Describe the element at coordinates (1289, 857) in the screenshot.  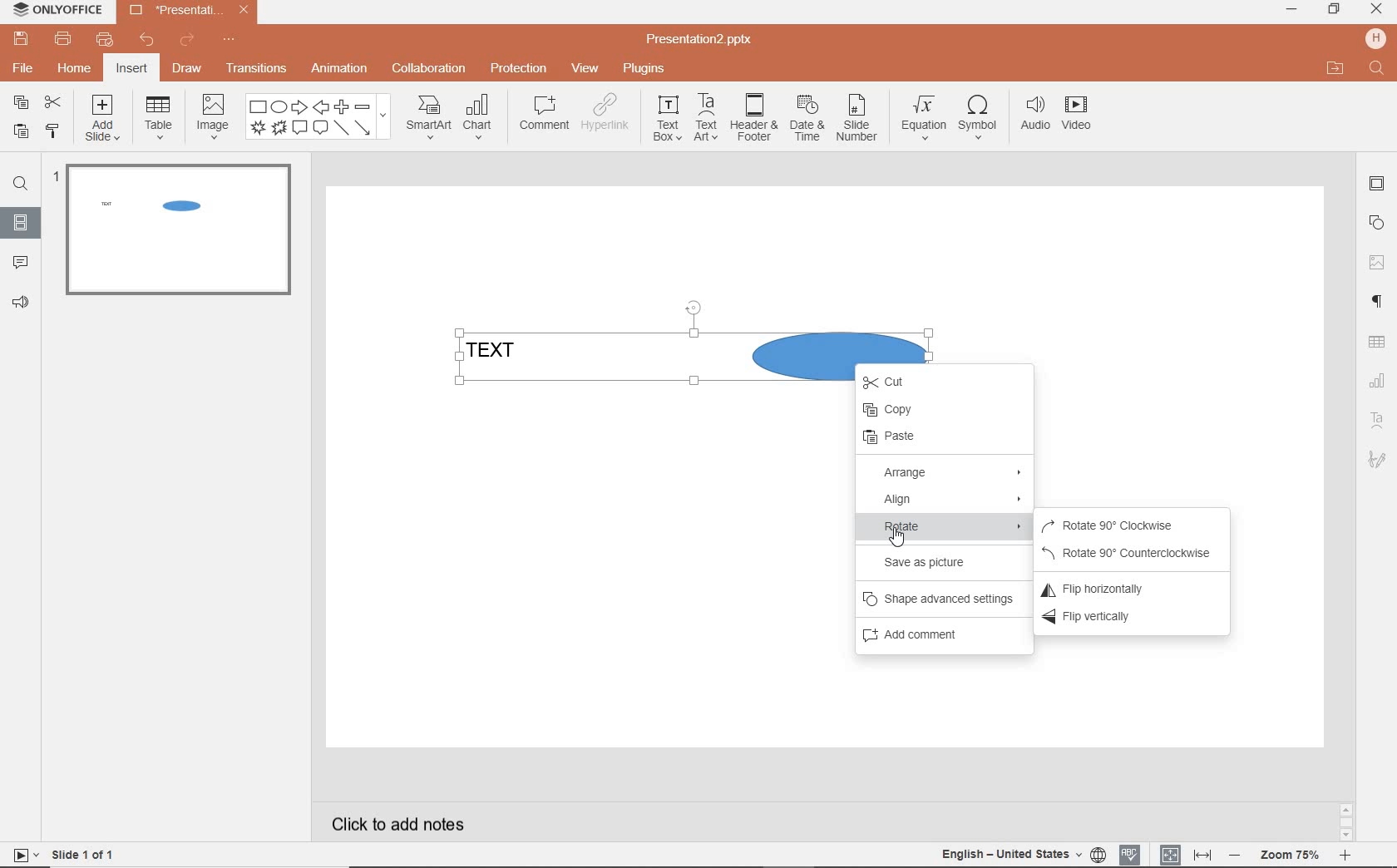
I see `ZOOM` at that location.